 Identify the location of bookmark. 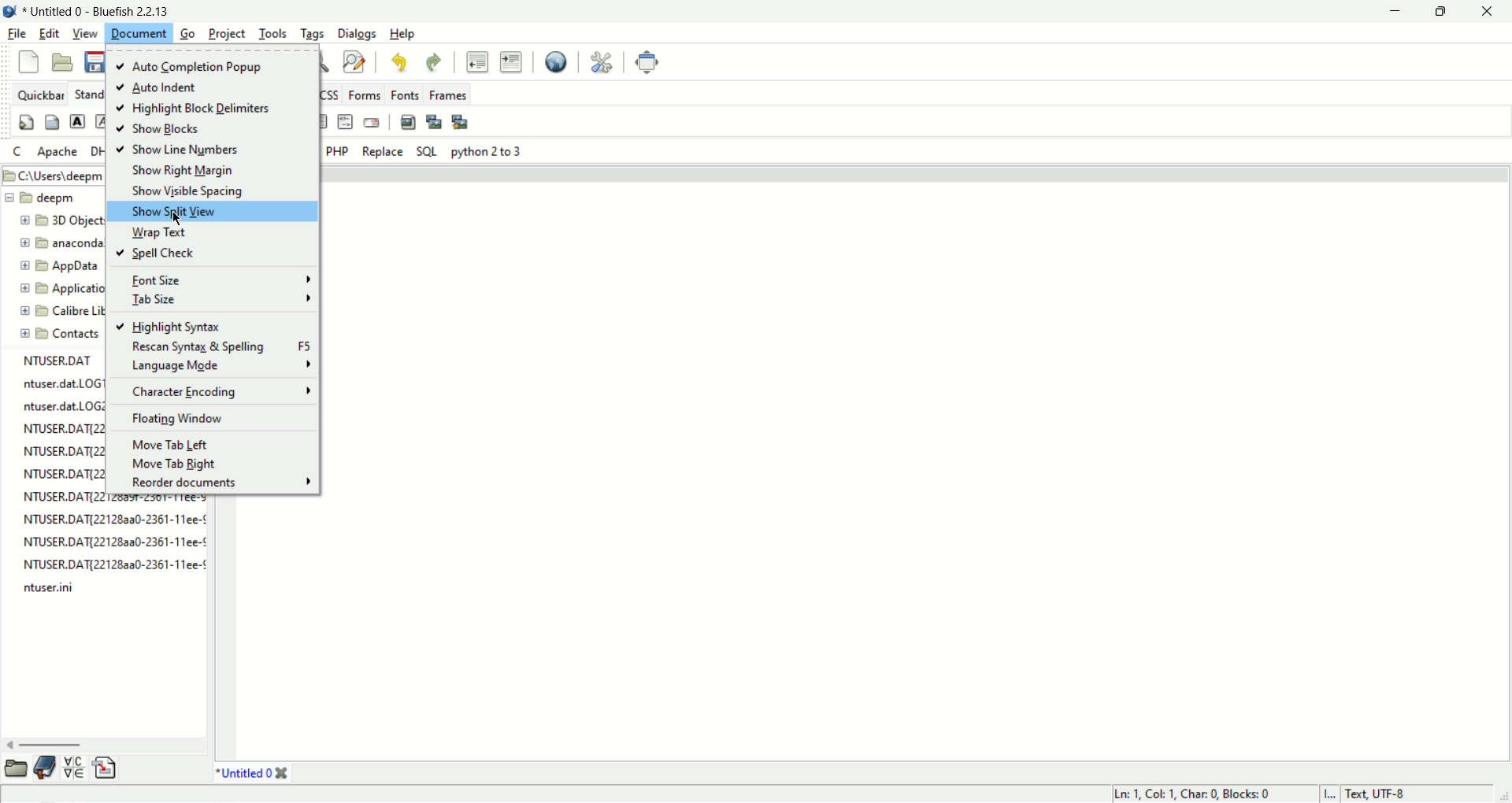
(48, 769).